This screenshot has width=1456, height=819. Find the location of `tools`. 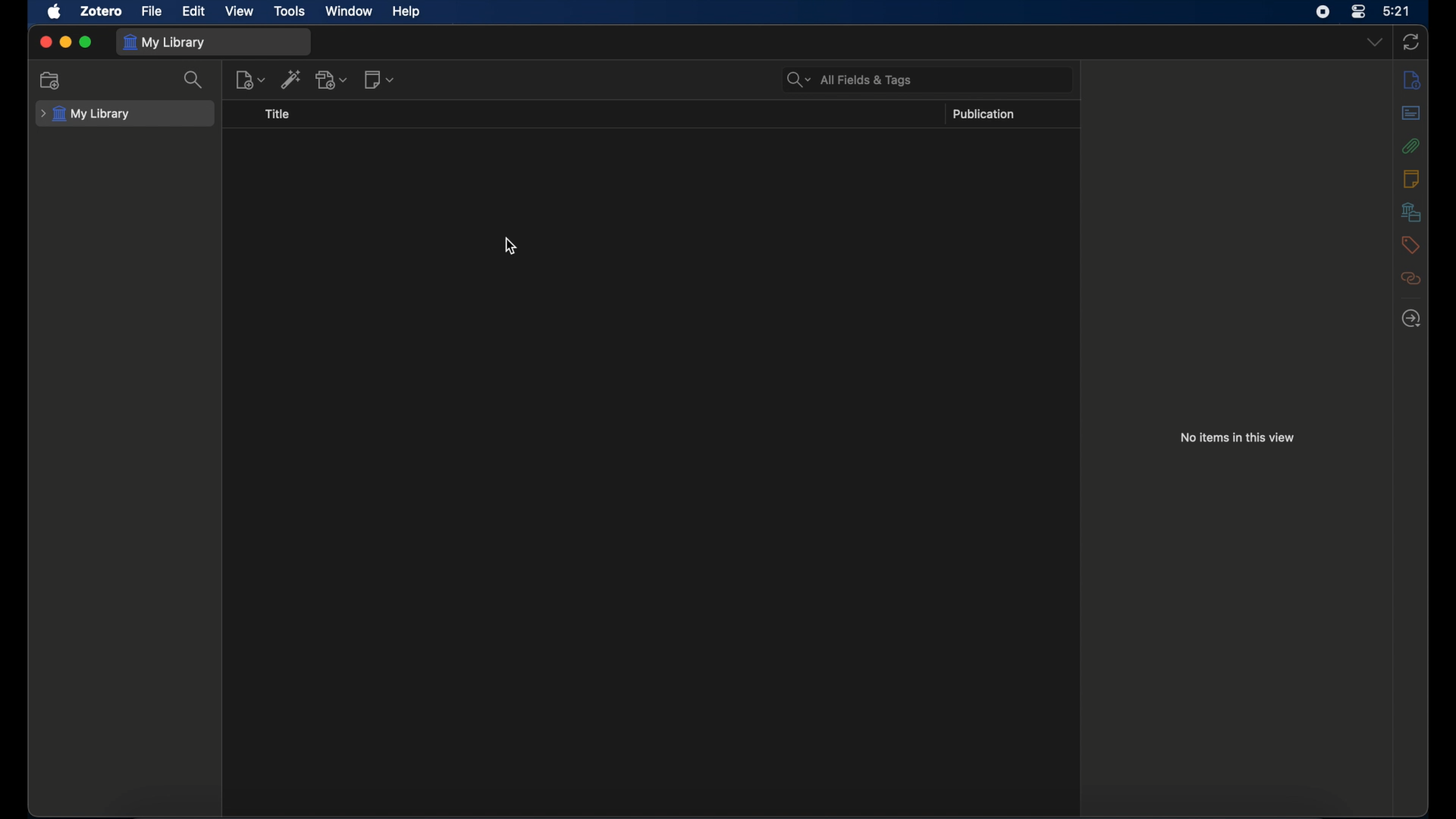

tools is located at coordinates (290, 11).